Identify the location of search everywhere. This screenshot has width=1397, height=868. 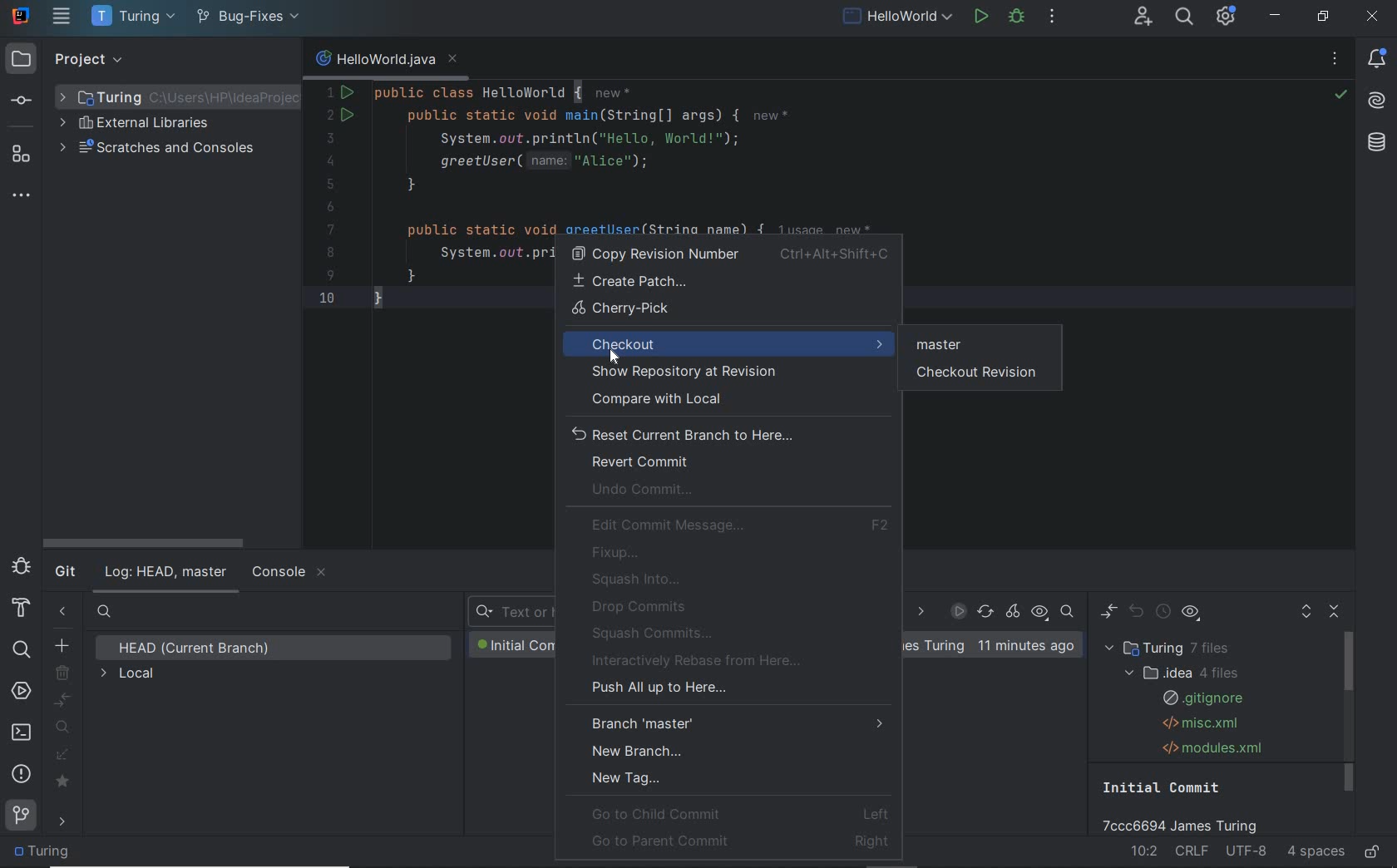
(1184, 17).